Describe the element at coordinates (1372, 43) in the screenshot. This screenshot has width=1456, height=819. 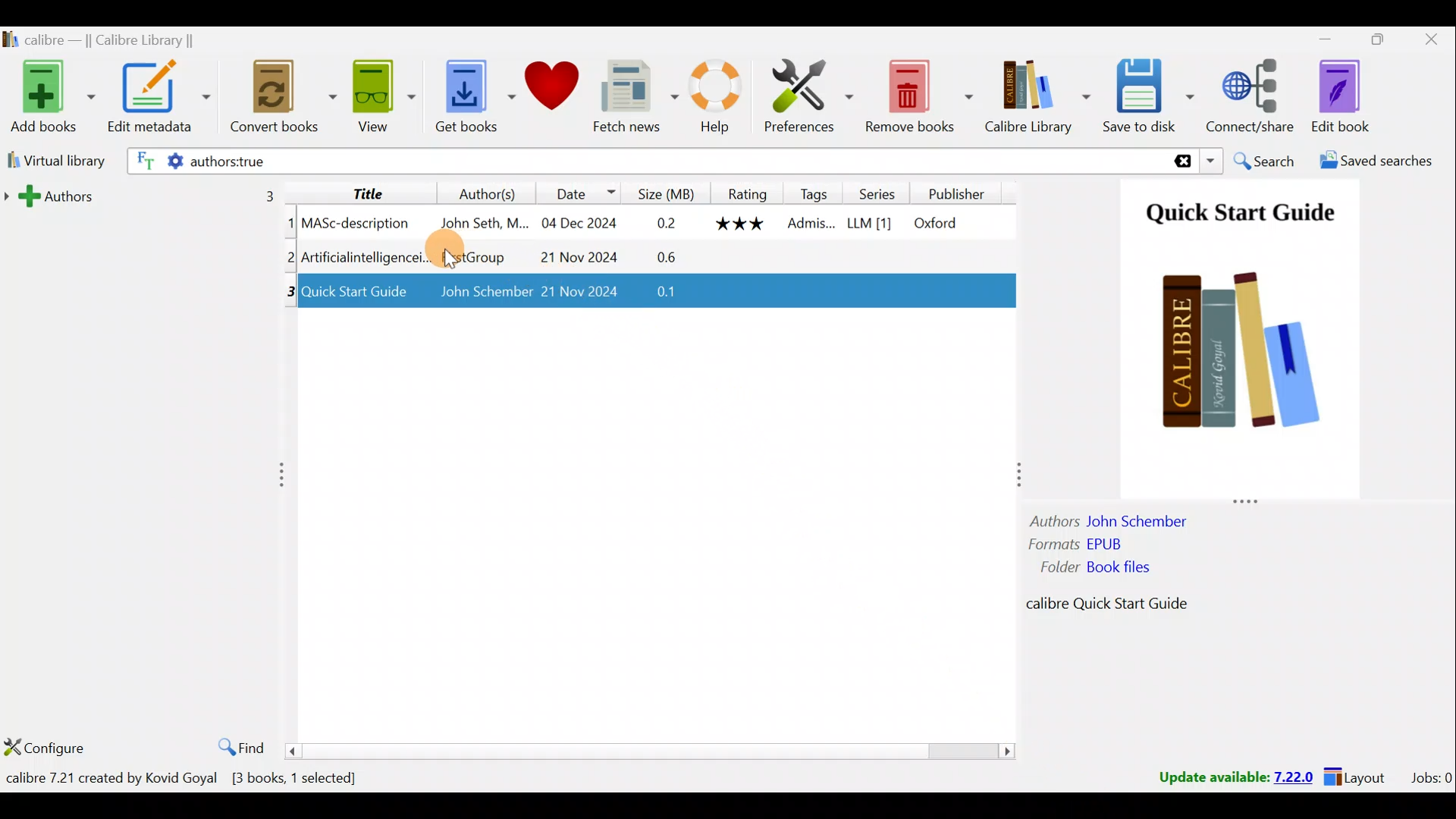
I see `Maximise` at that location.